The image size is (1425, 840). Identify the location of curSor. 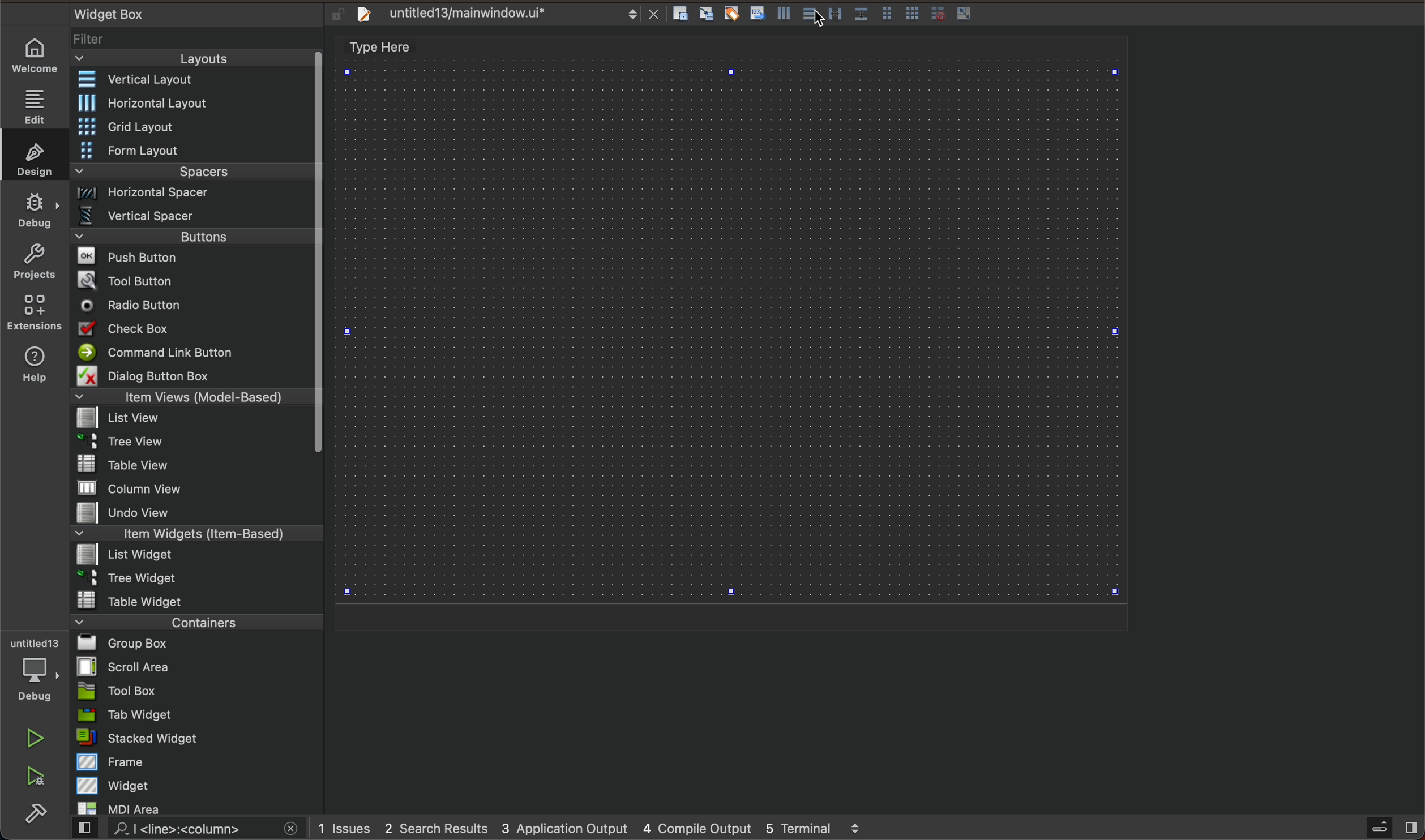
(815, 20).